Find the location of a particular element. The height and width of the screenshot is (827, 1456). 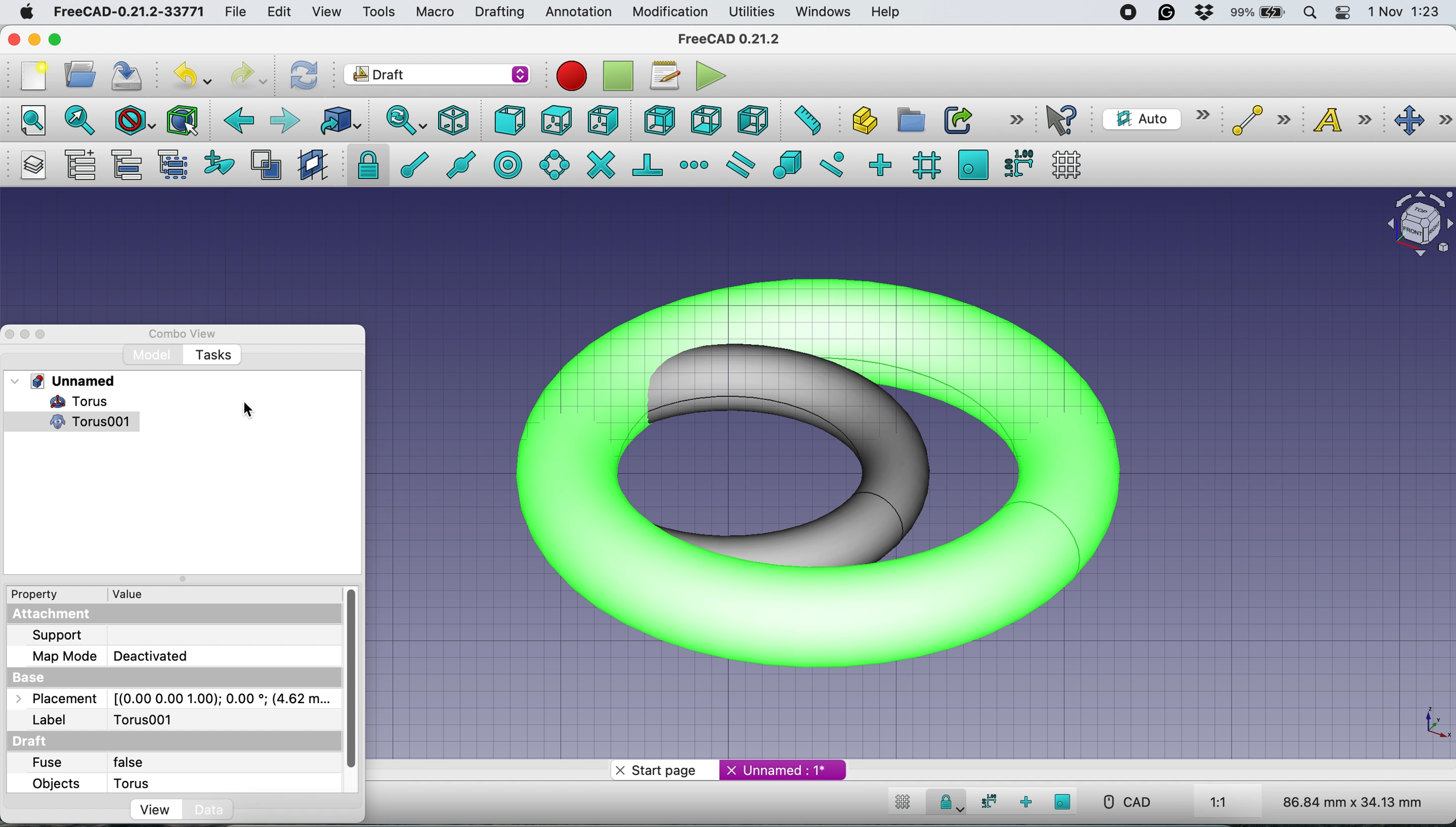

snap grid is located at coordinates (924, 166).